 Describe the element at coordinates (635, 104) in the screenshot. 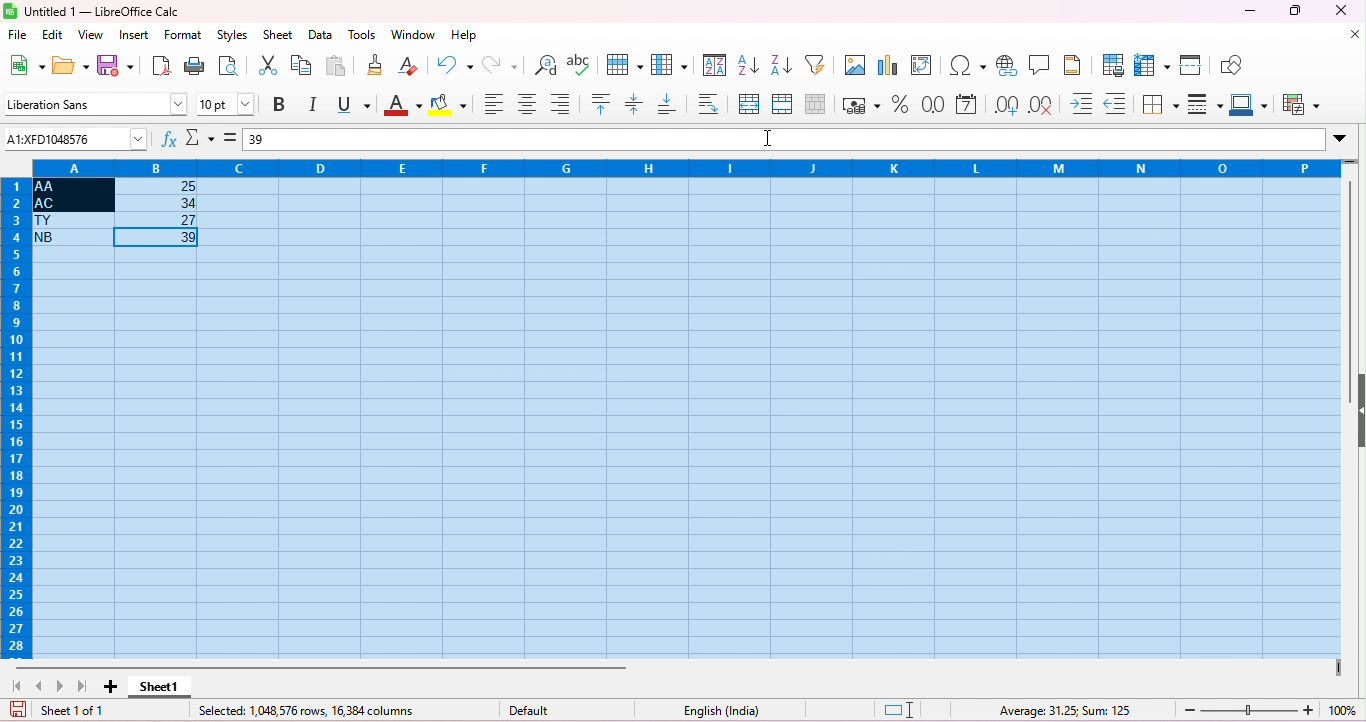

I see `center vertically` at that location.